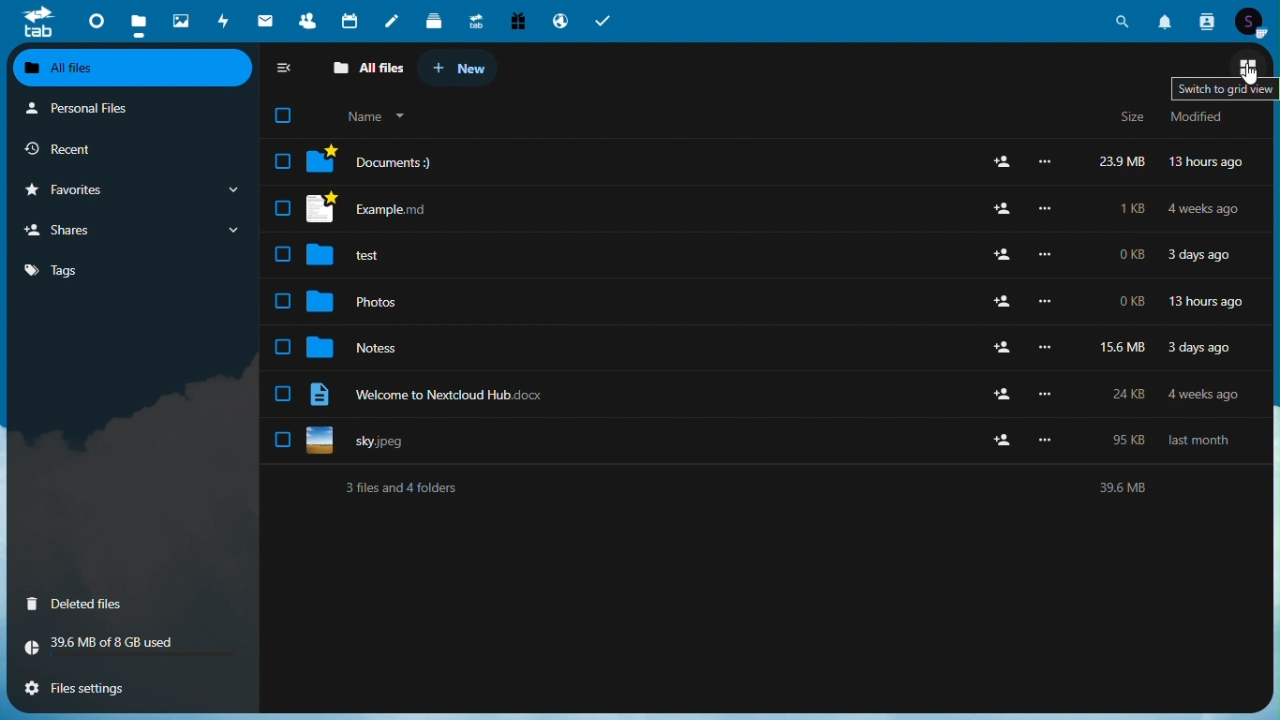 The image size is (1280, 720). What do you see at coordinates (1125, 345) in the screenshot?
I see `15.6mb` at bounding box center [1125, 345].